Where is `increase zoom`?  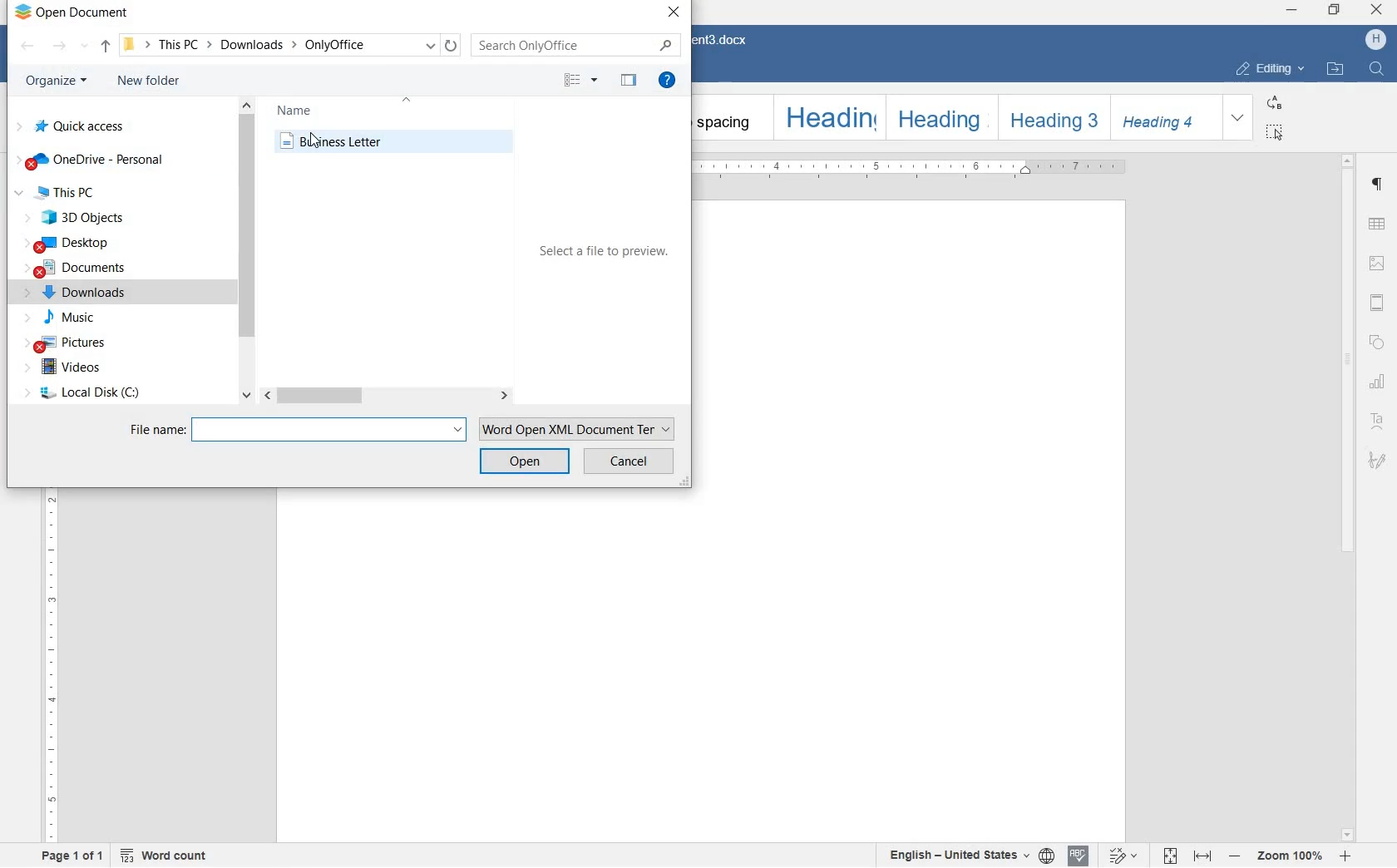
increase zoom is located at coordinates (1349, 854).